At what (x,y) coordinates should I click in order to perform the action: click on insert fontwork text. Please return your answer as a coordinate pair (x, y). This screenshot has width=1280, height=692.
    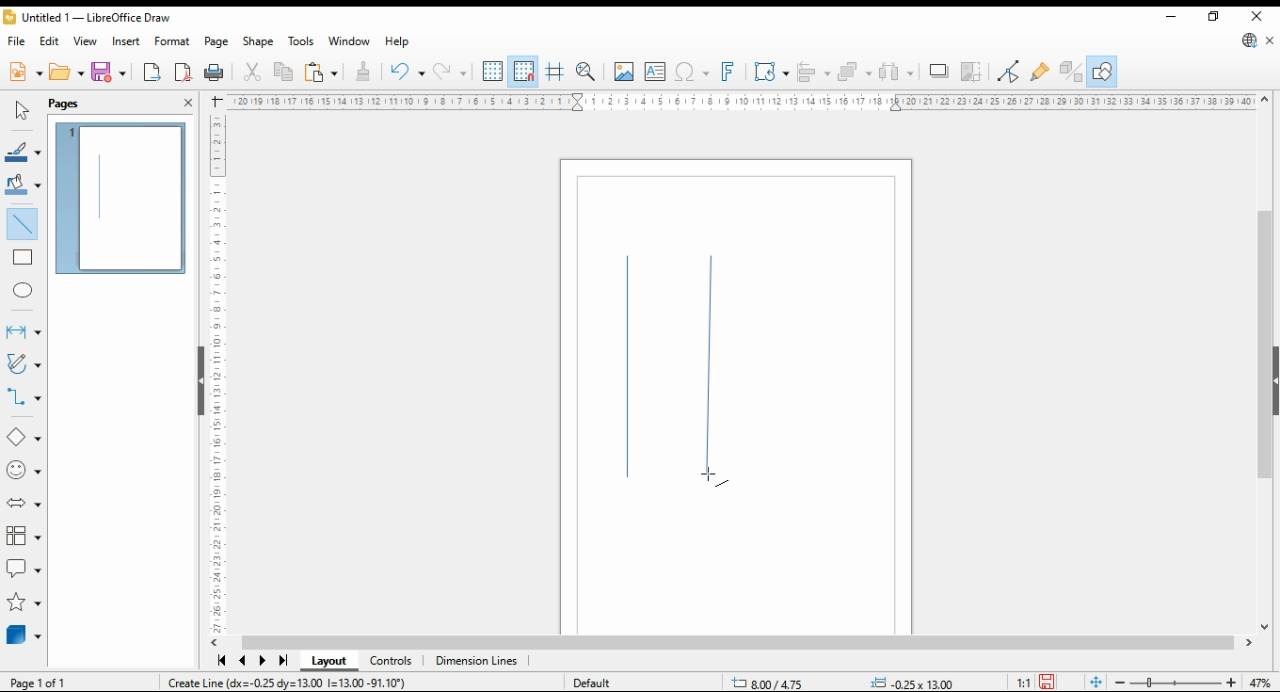
    Looking at the image, I should click on (728, 72).